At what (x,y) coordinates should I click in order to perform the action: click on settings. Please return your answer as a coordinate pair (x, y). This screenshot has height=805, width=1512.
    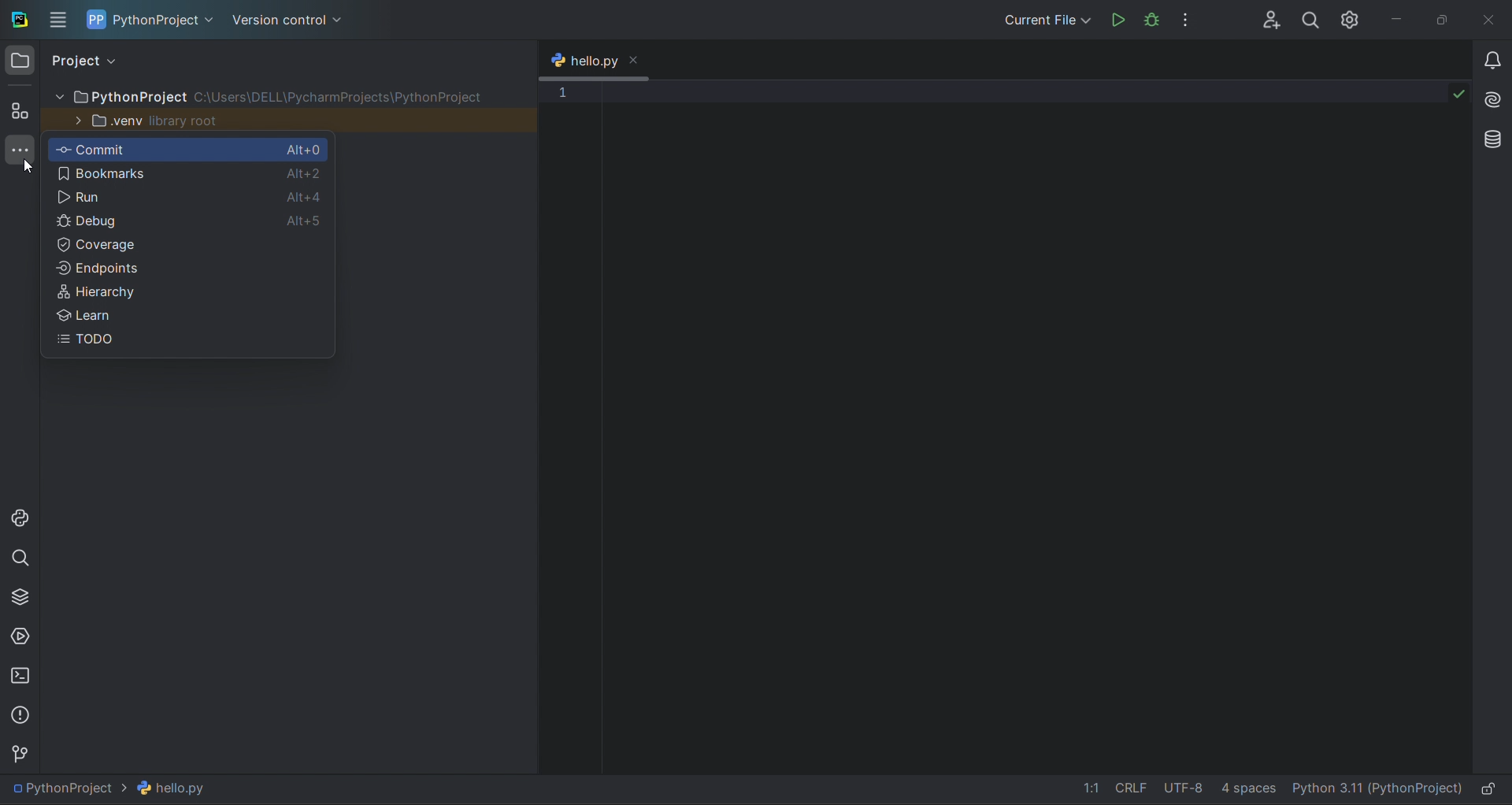
    Looking at the image, I should click on (1352, 20).